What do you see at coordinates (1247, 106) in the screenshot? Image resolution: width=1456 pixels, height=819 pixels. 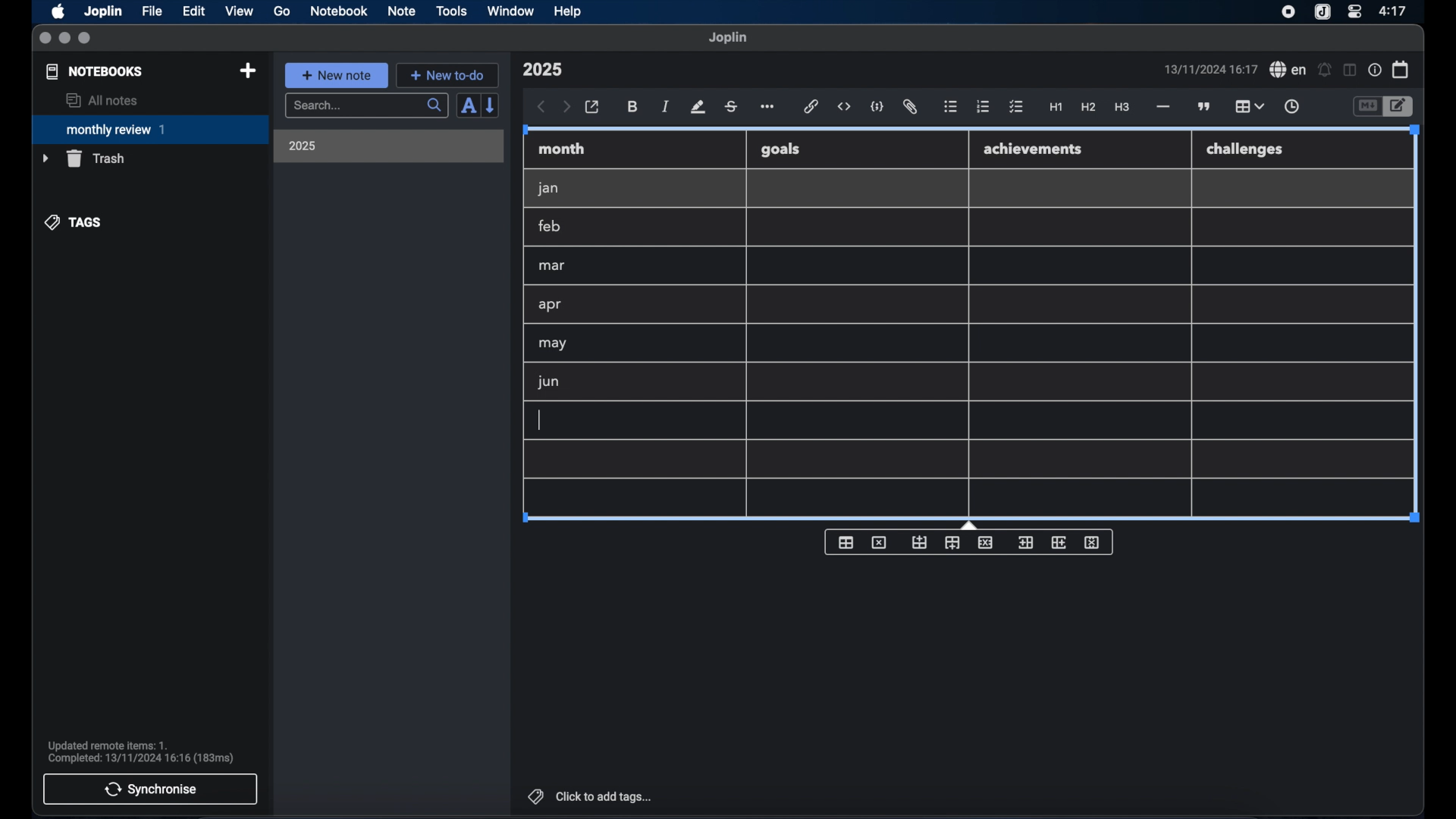 I see `table highlighted` at bounding box center [1247, 106].